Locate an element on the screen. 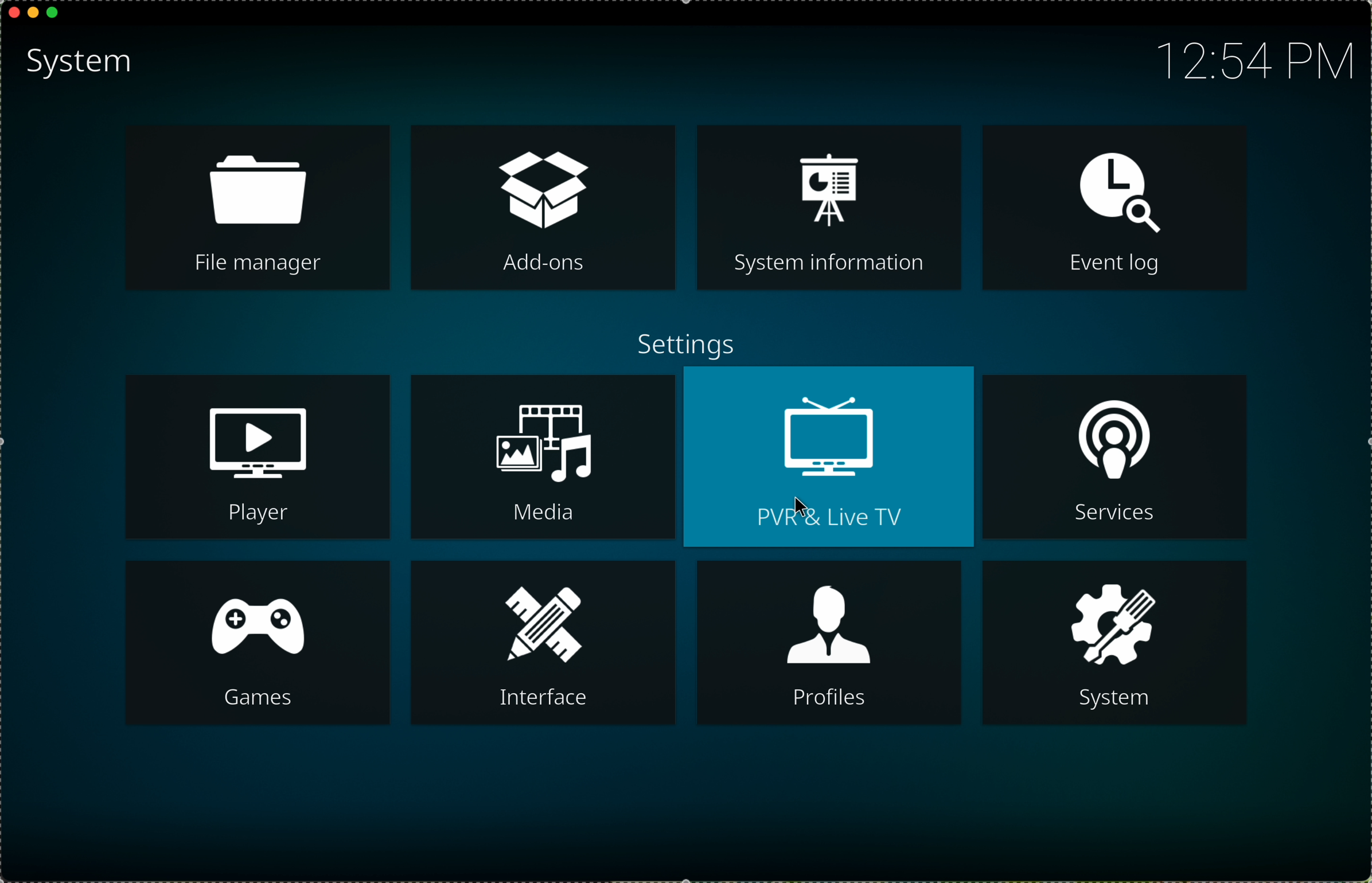 Image resolution: width=1372 pixels, height=883 pixels. system information option is located at coordinates (828, 207).